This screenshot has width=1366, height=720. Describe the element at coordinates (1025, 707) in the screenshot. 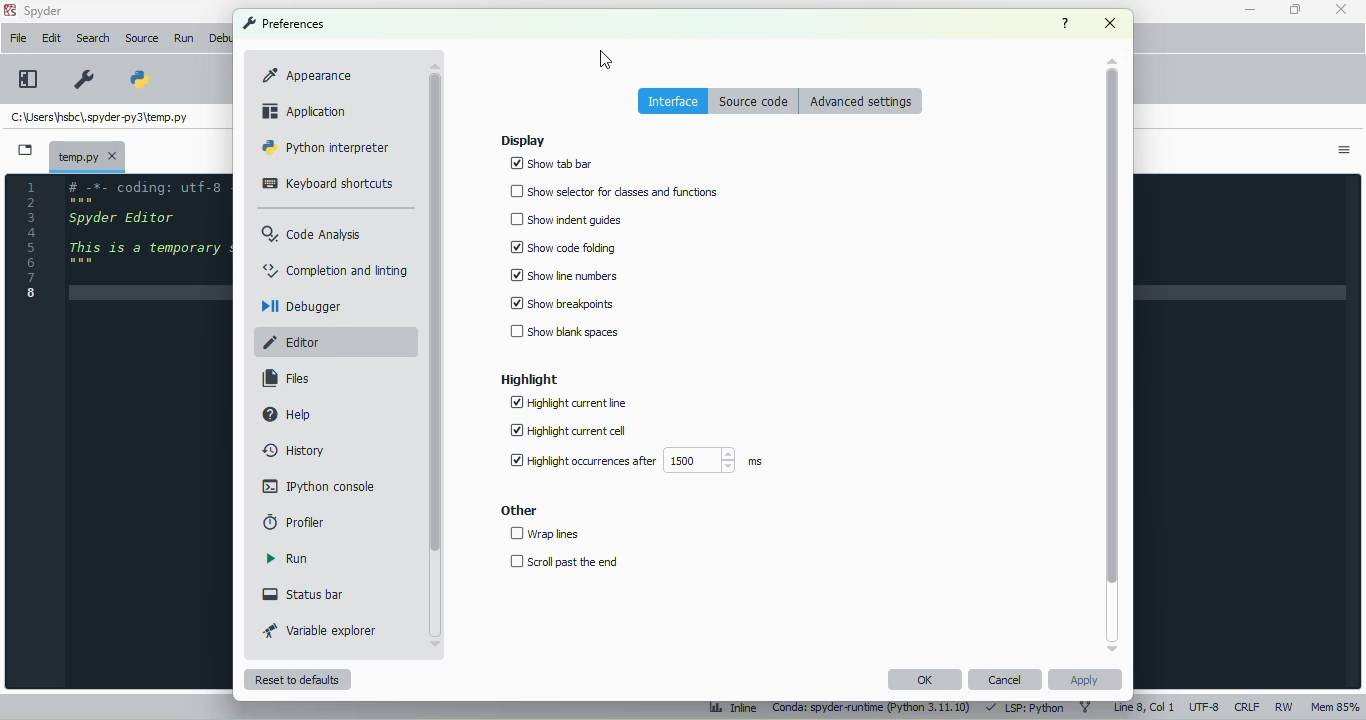

I see `LSP: python` at that location.